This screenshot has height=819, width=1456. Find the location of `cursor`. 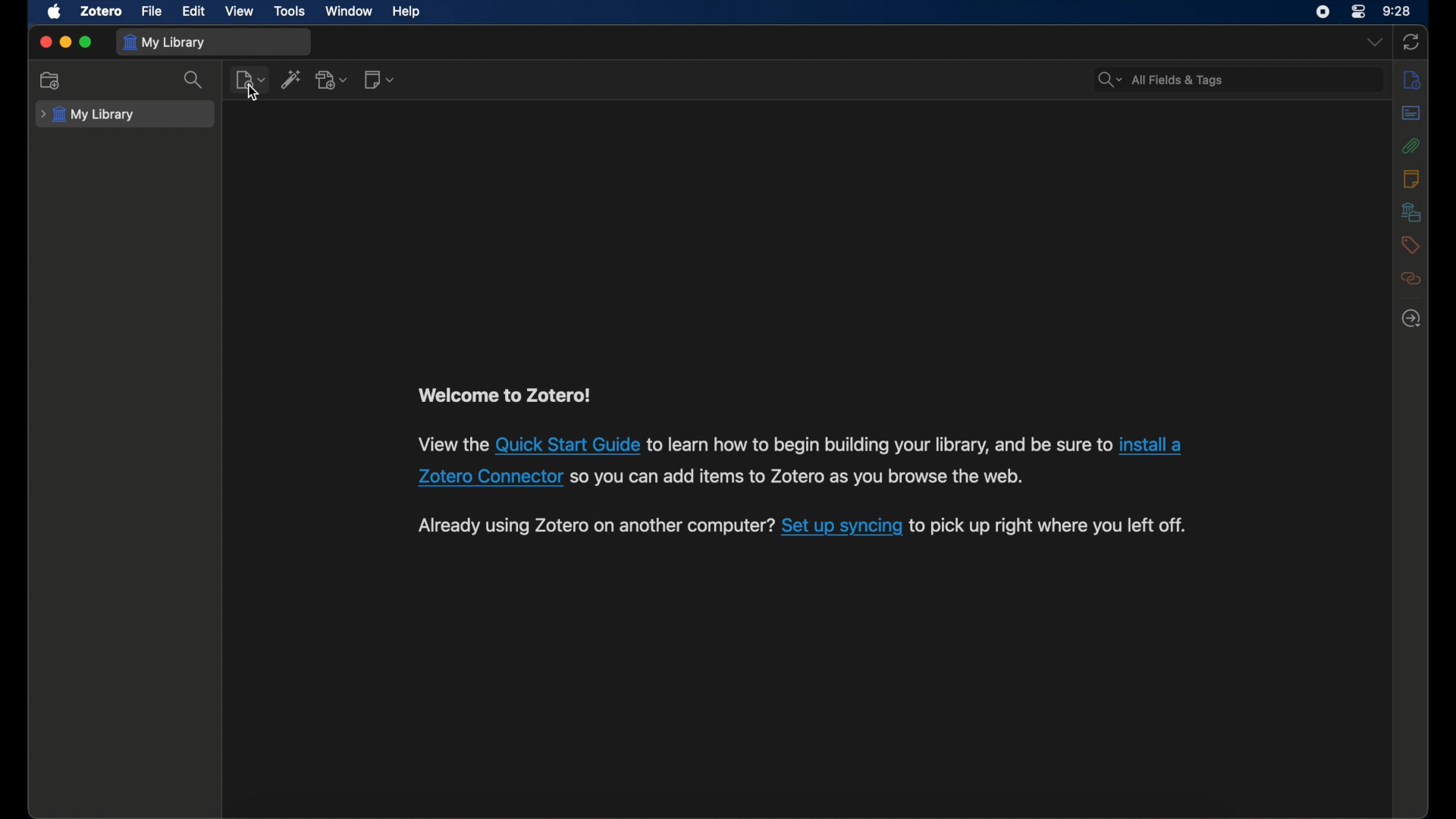

cursor is located at coordinates (253, 93).